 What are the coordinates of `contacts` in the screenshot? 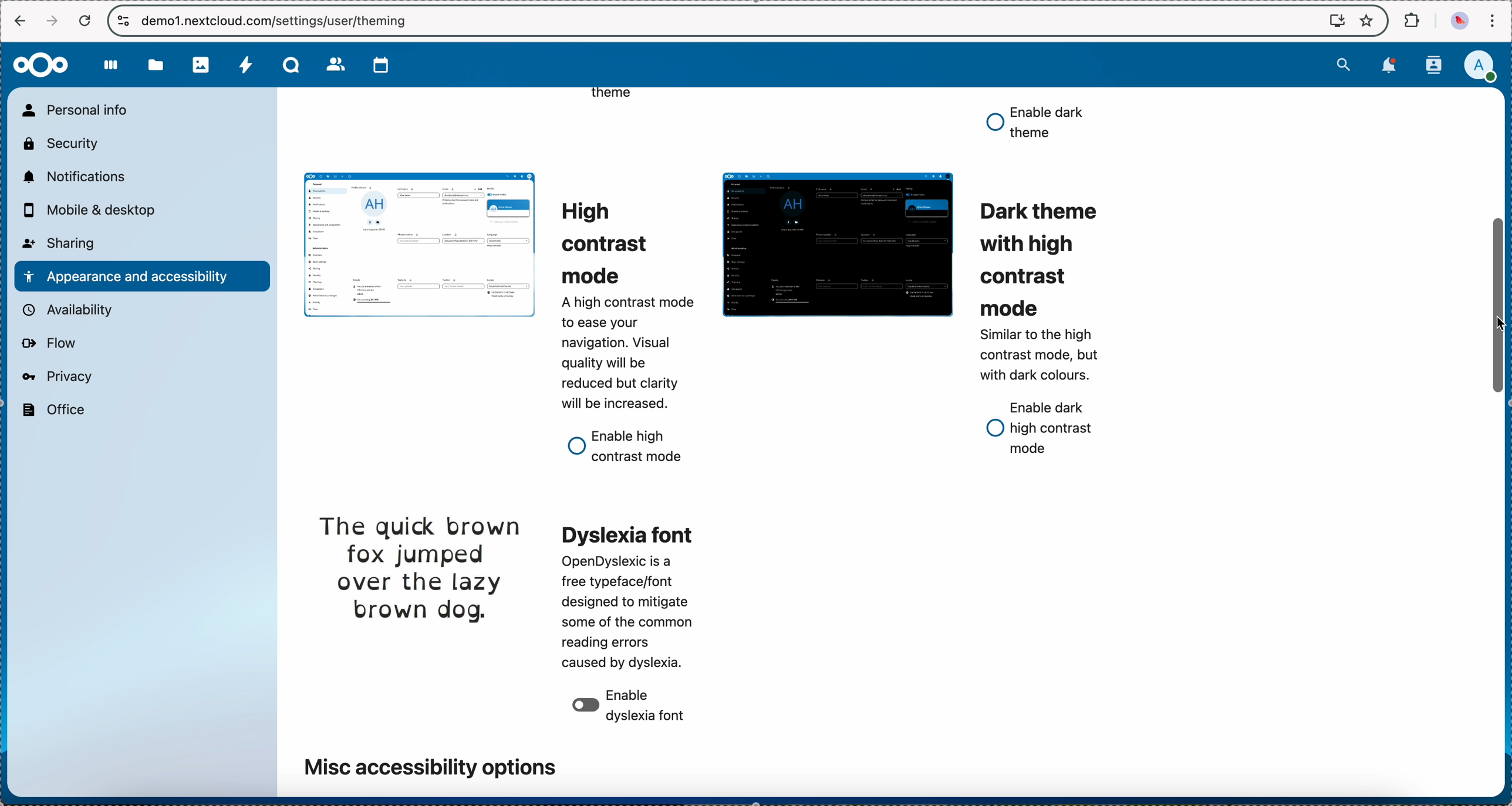 It's located at (1433, 65).